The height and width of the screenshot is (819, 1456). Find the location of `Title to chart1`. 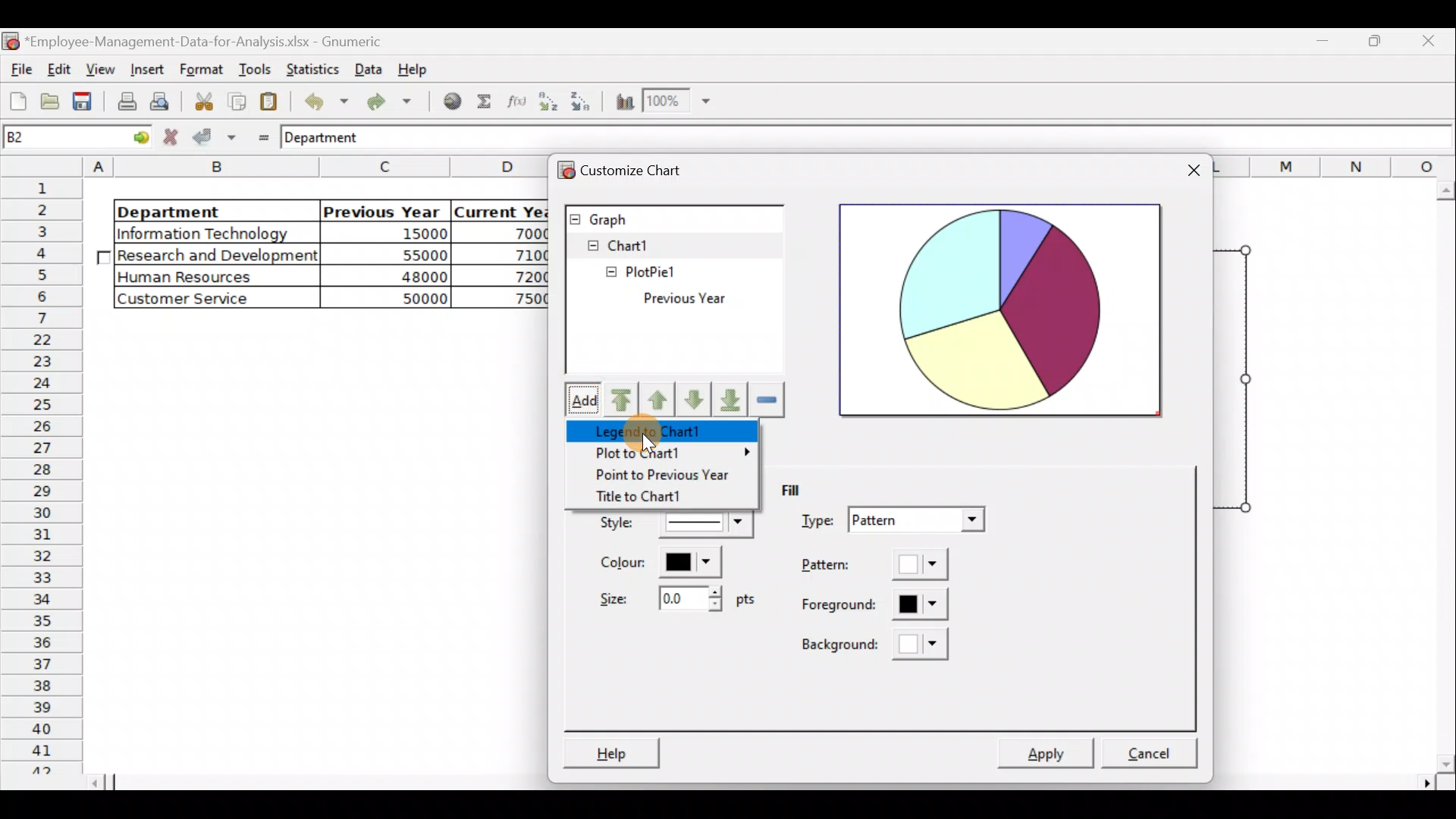

Title to chart1 is located at coordinates (661, 498).